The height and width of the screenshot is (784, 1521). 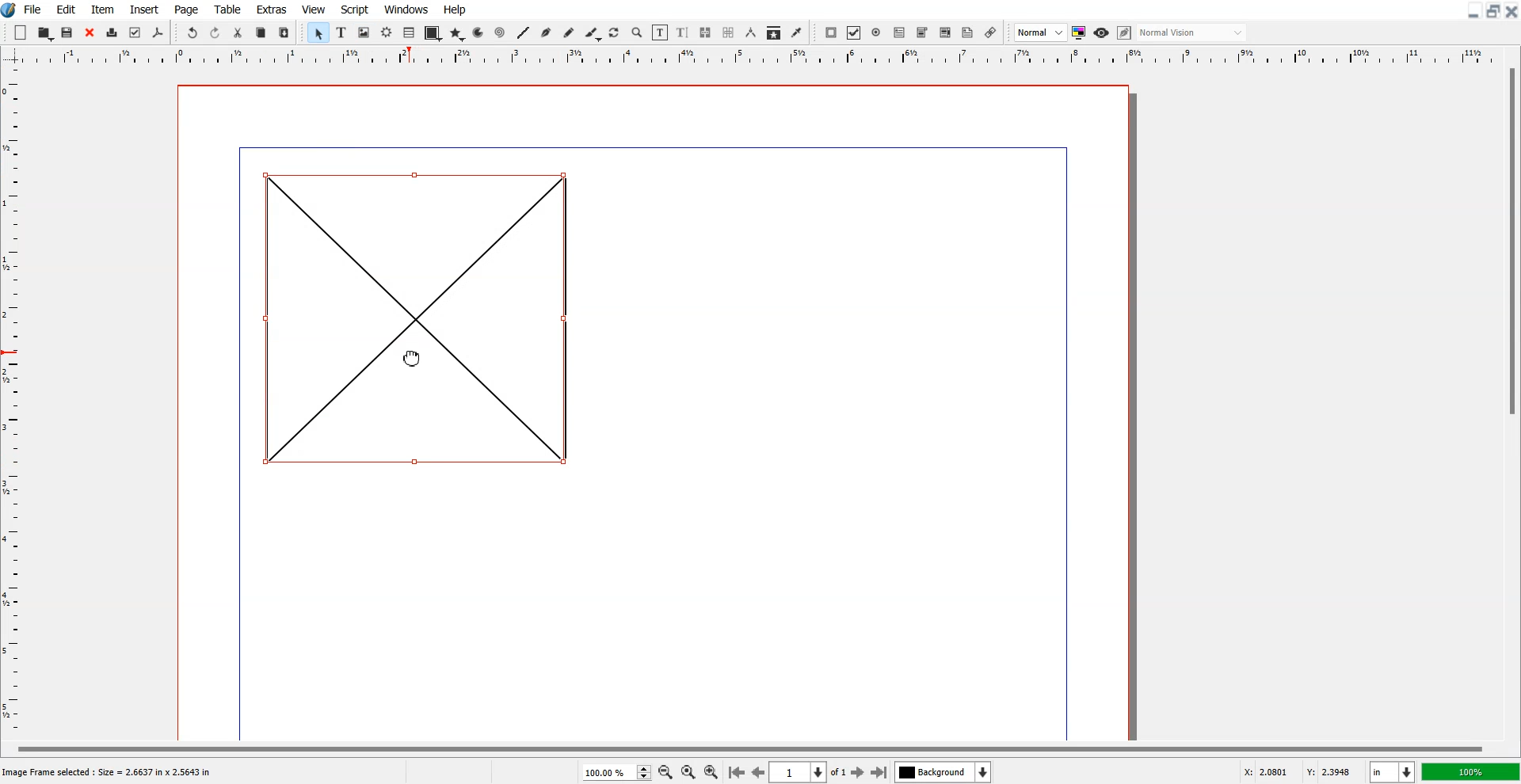 What do you see at coordinates (712, 771) in the screenshot?
I see `Zoom In` at bounding box center [712, 771].